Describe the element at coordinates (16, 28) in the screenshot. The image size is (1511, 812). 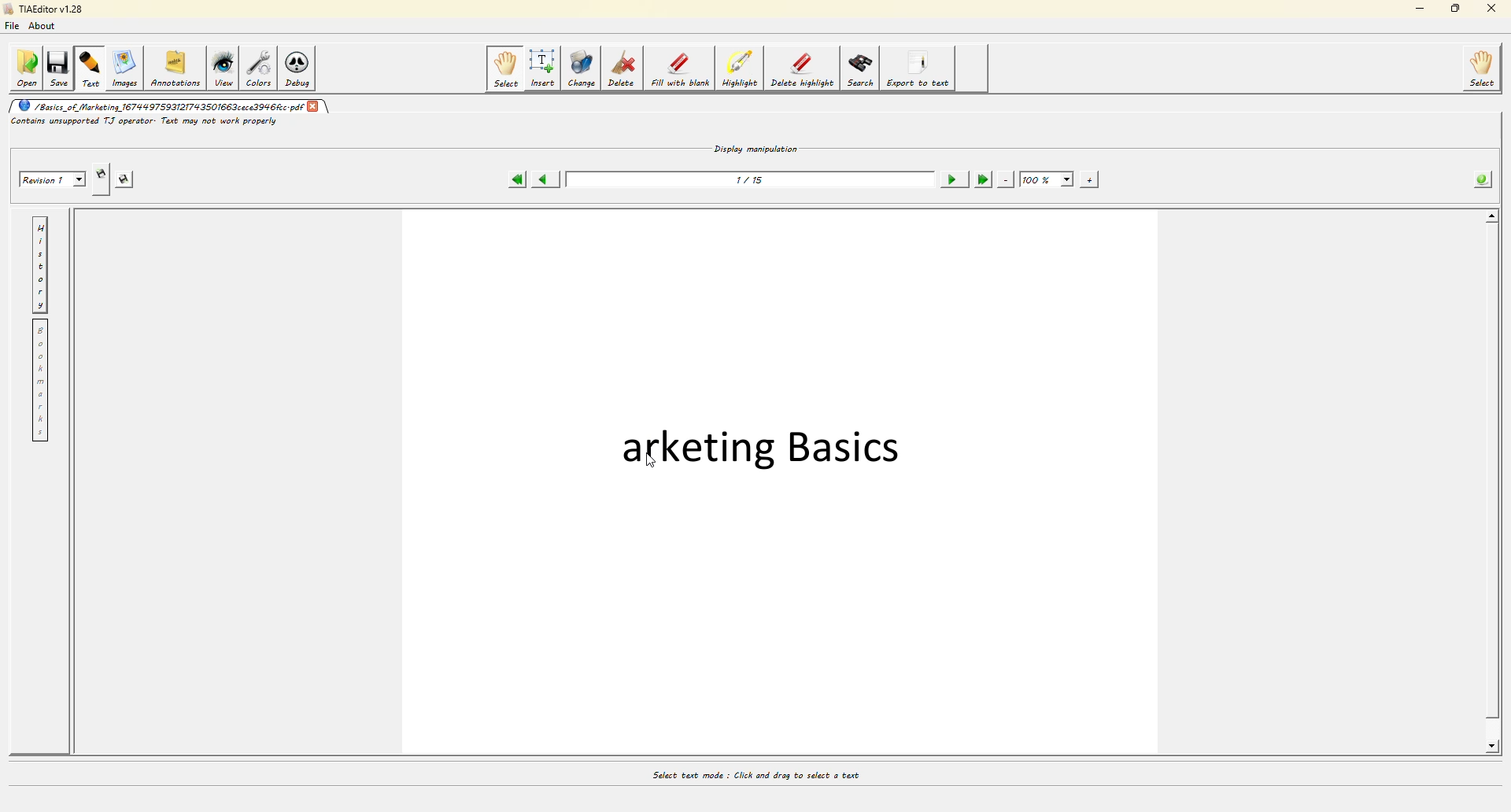
I see `file` at that location.